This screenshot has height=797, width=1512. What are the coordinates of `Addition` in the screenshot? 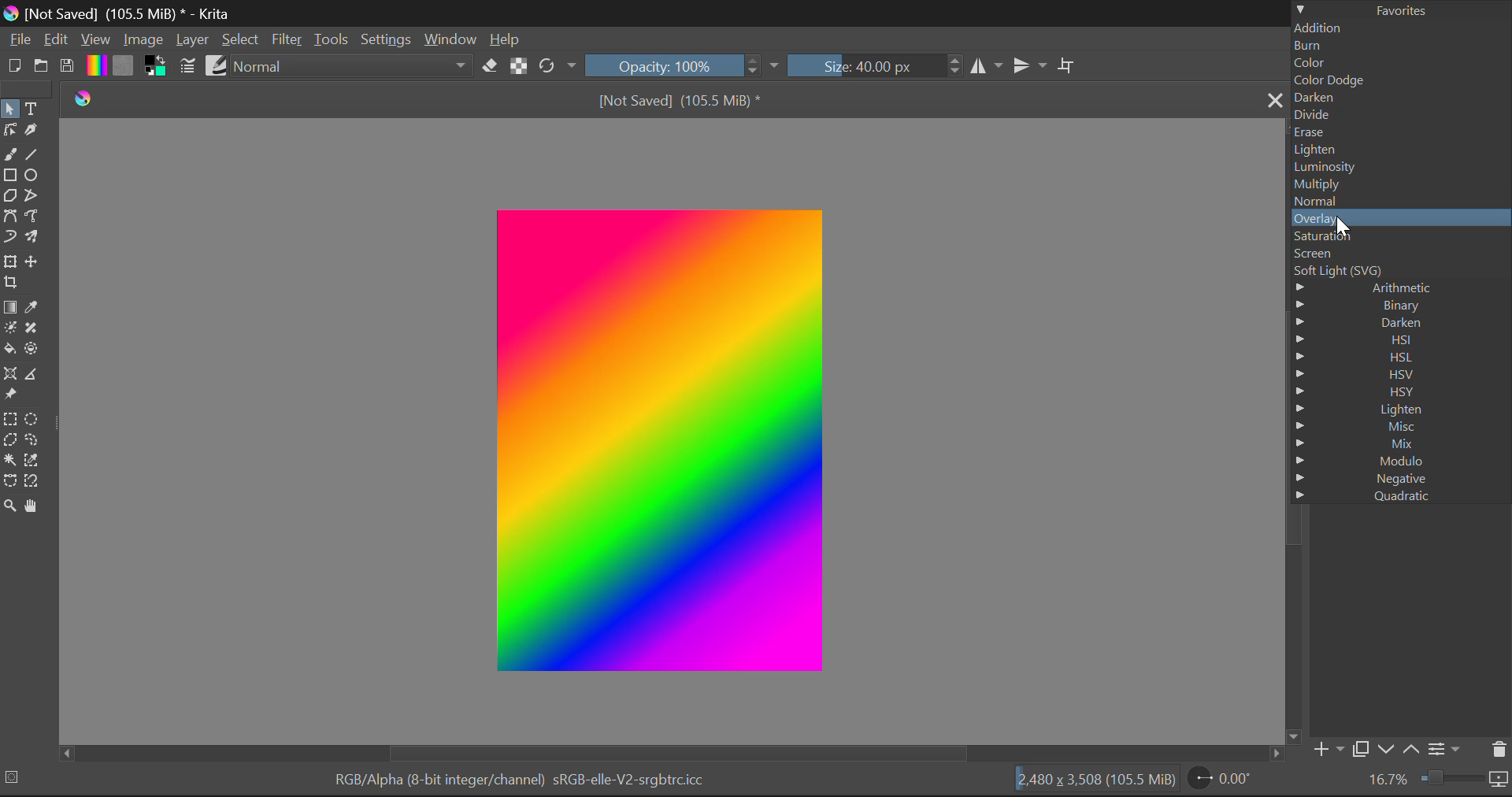 It's located at (1400, 29).